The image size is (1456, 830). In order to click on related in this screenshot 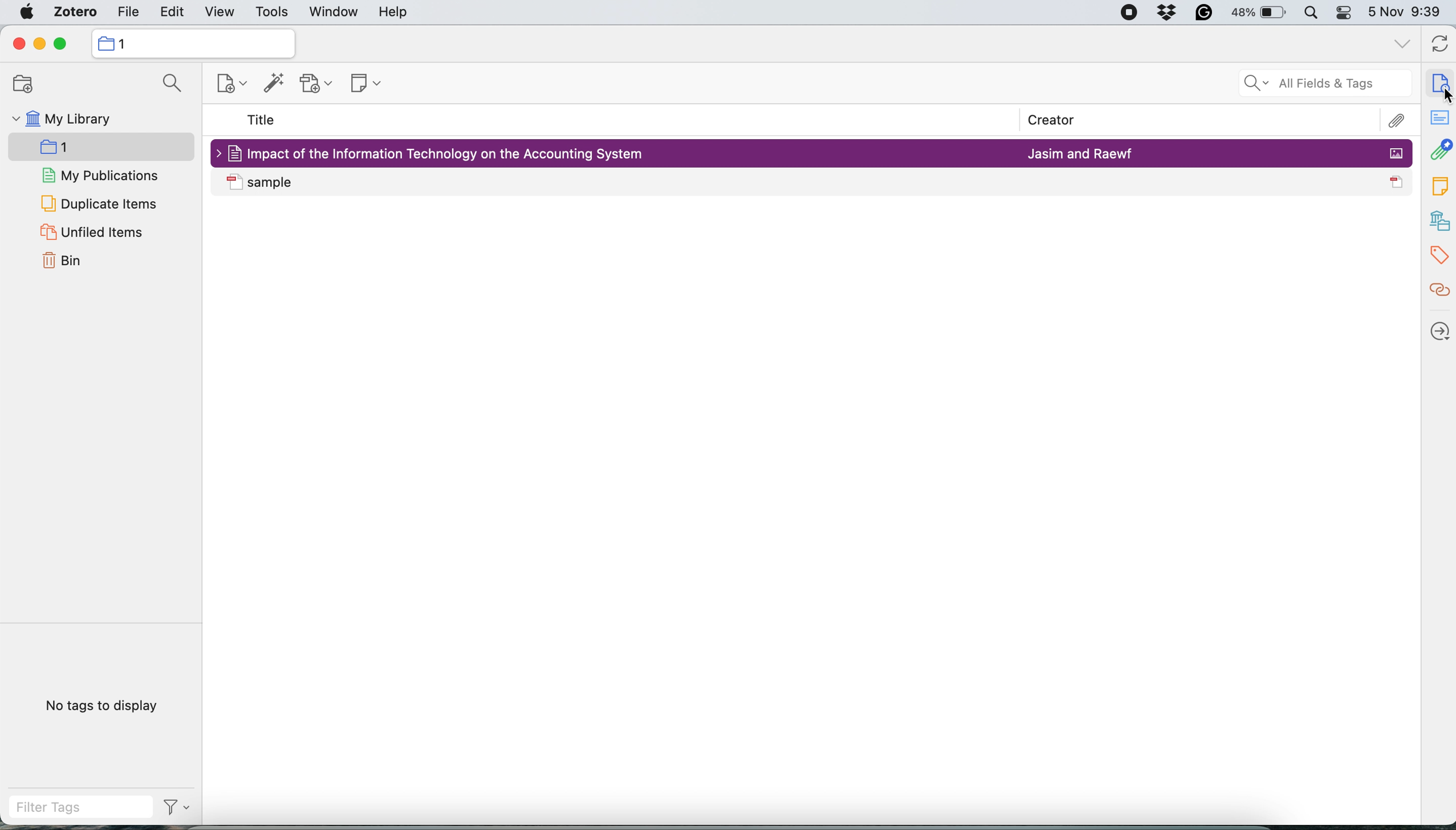, I will do `click(1439, 290)`.